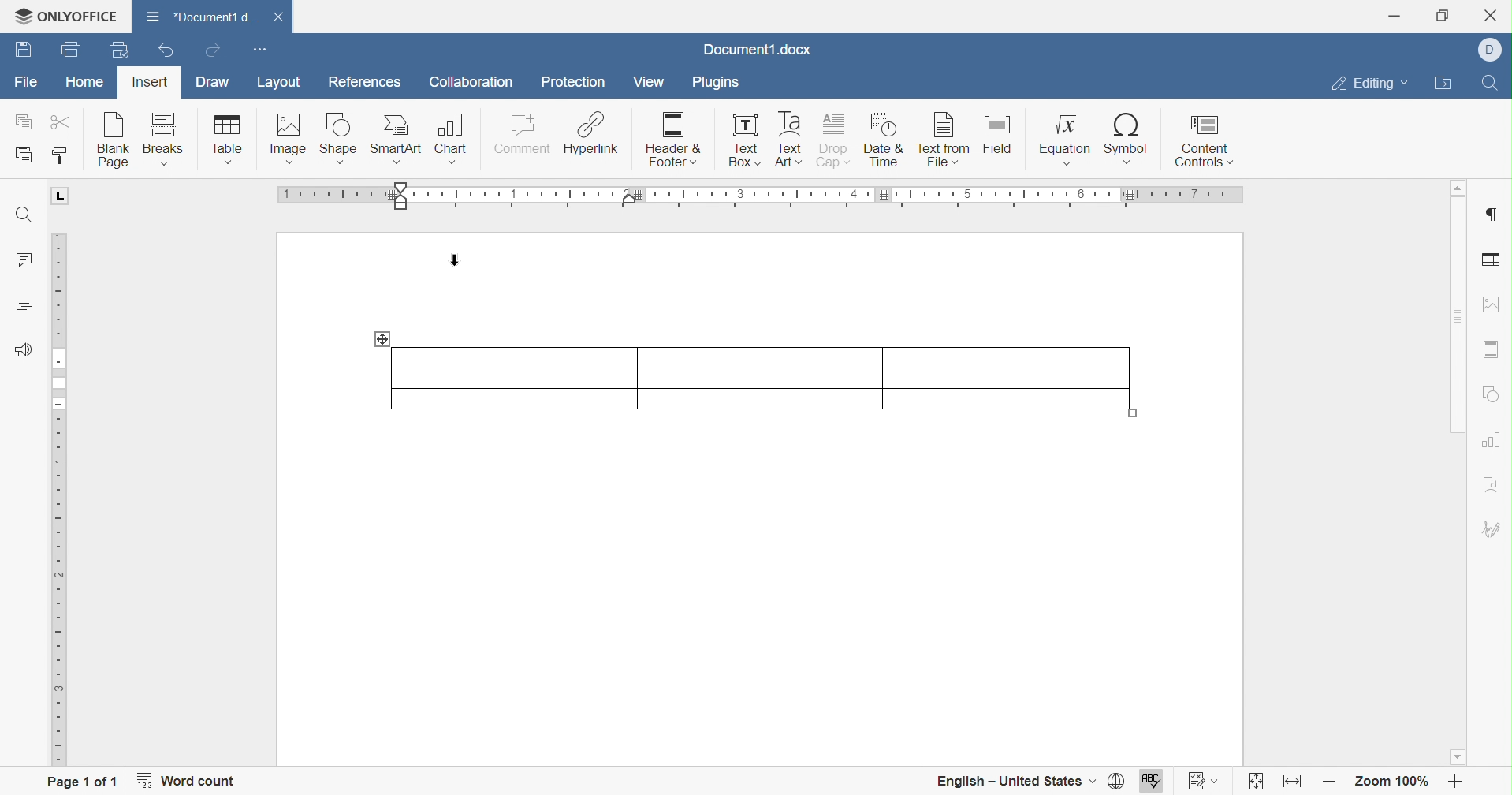 The image size is (1512, 795). I want to click on Print file, so click(74, 48).